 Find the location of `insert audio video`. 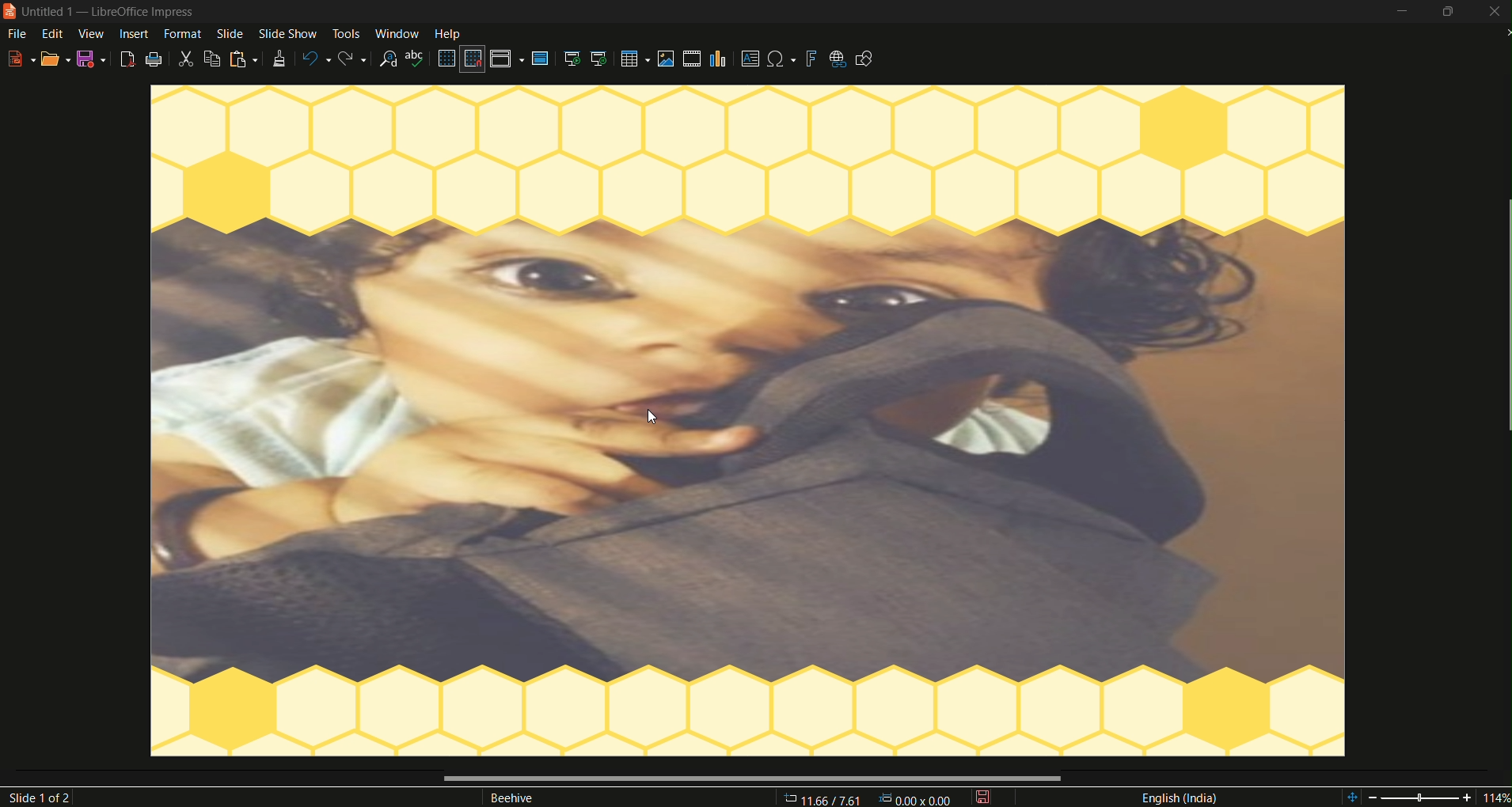

insert audio video is located at coordinates (693, 59).